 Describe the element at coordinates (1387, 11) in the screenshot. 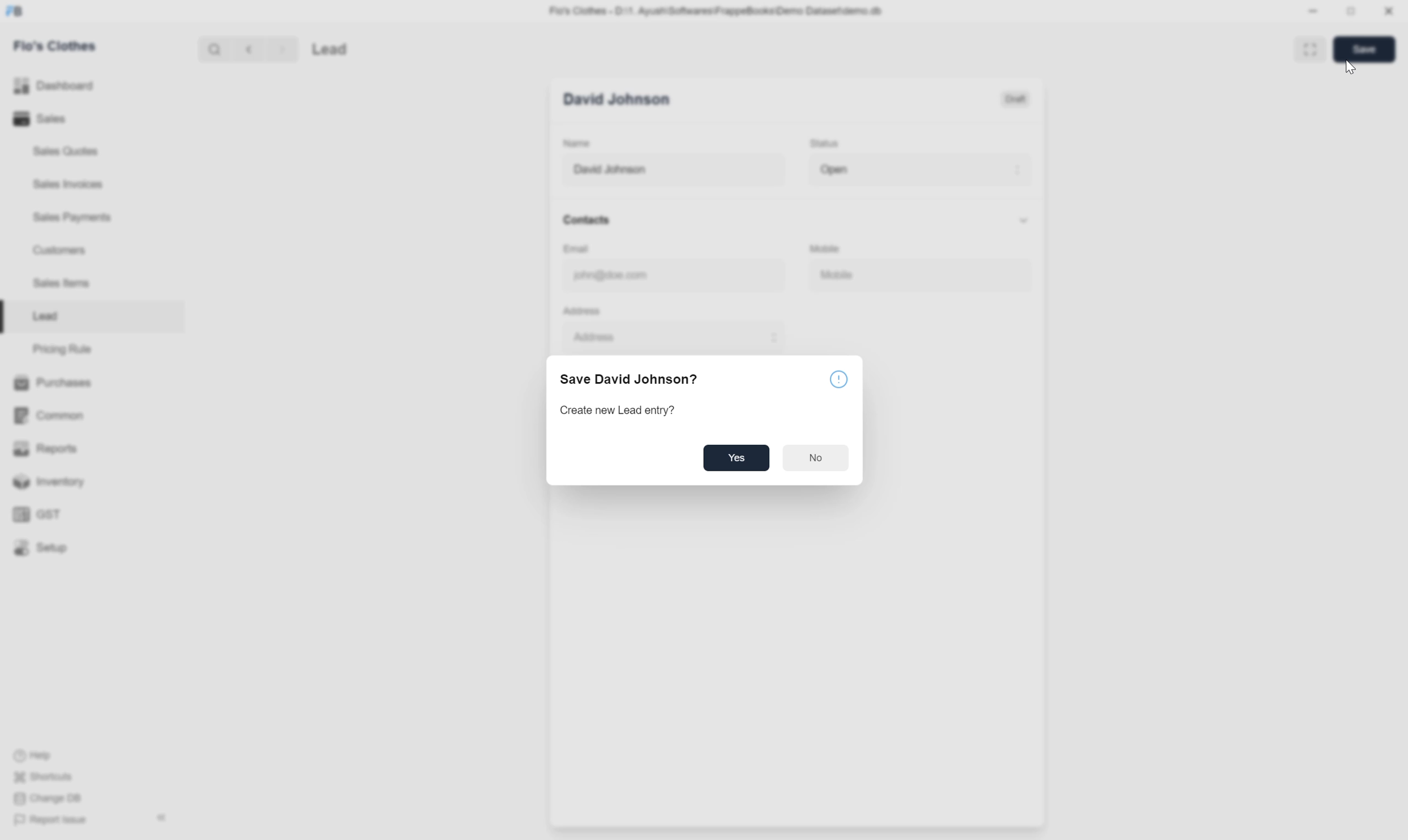

I see `close` at that location.